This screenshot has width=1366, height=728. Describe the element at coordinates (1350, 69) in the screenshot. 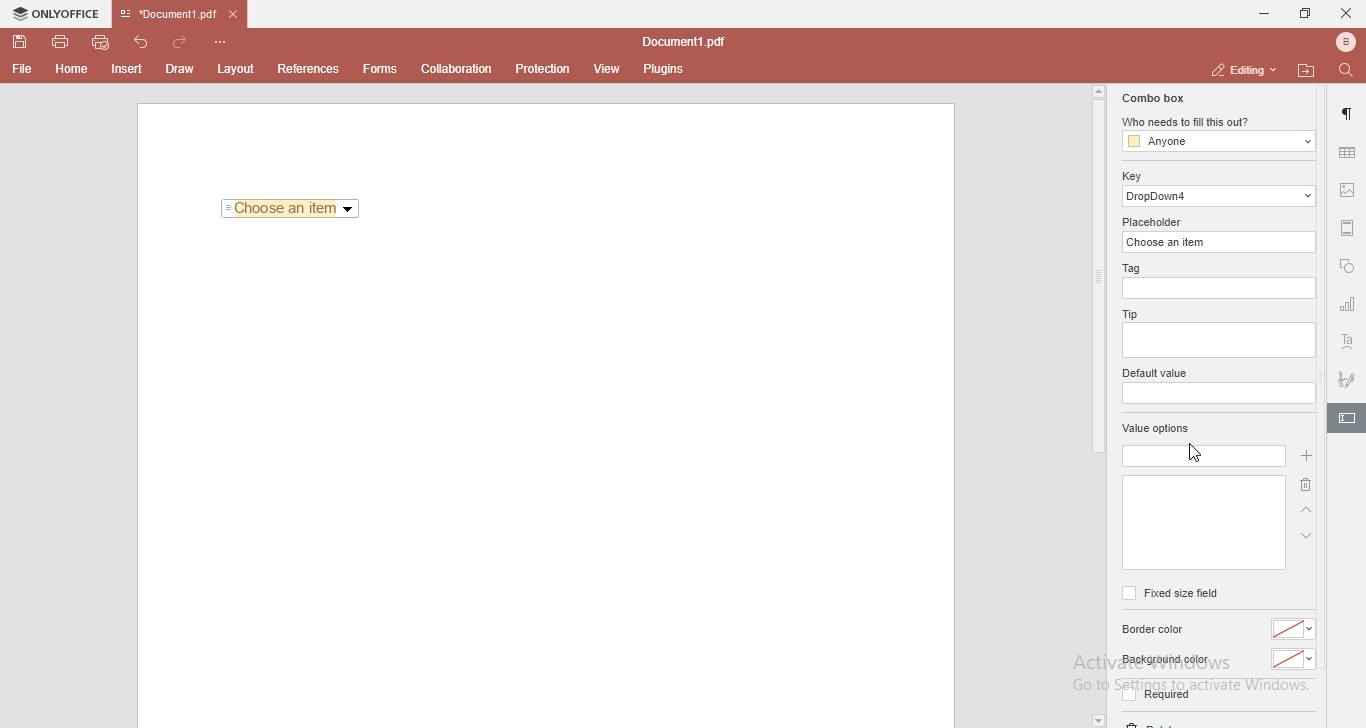

I see `find` at that location.